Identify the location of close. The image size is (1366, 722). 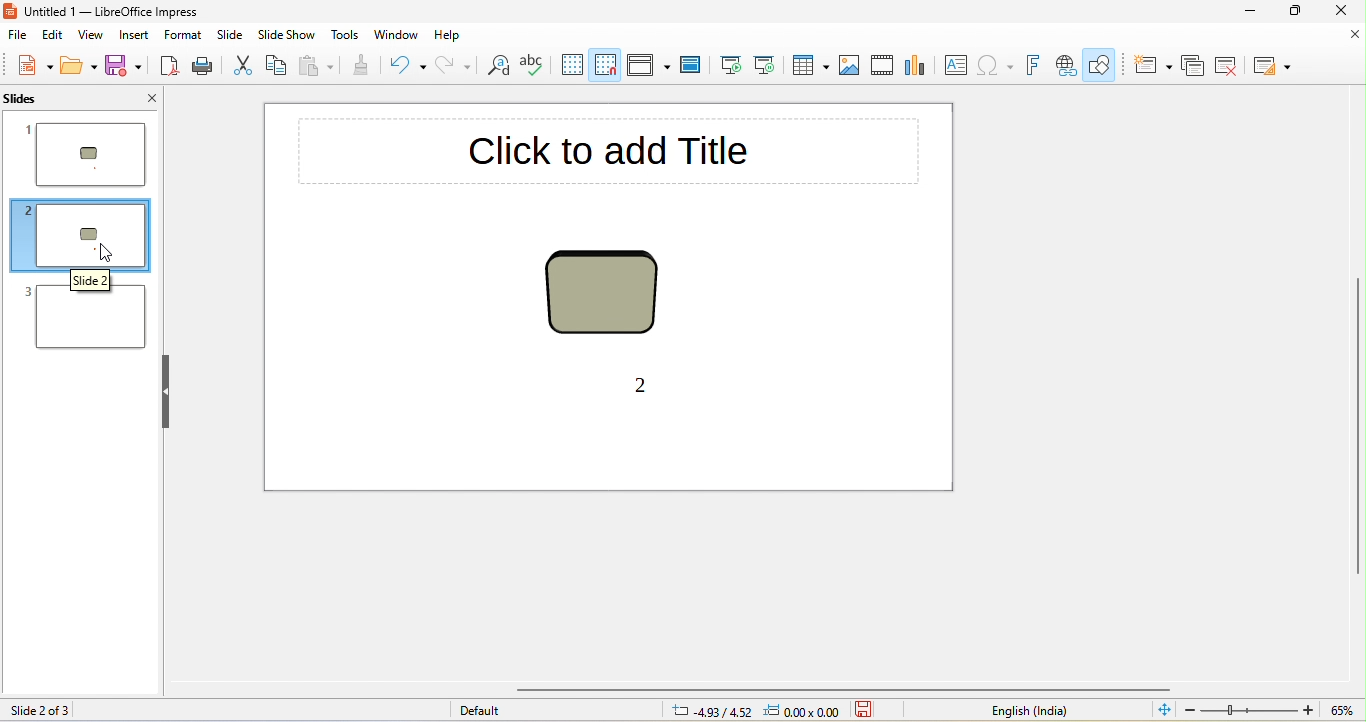
(1345, 11).